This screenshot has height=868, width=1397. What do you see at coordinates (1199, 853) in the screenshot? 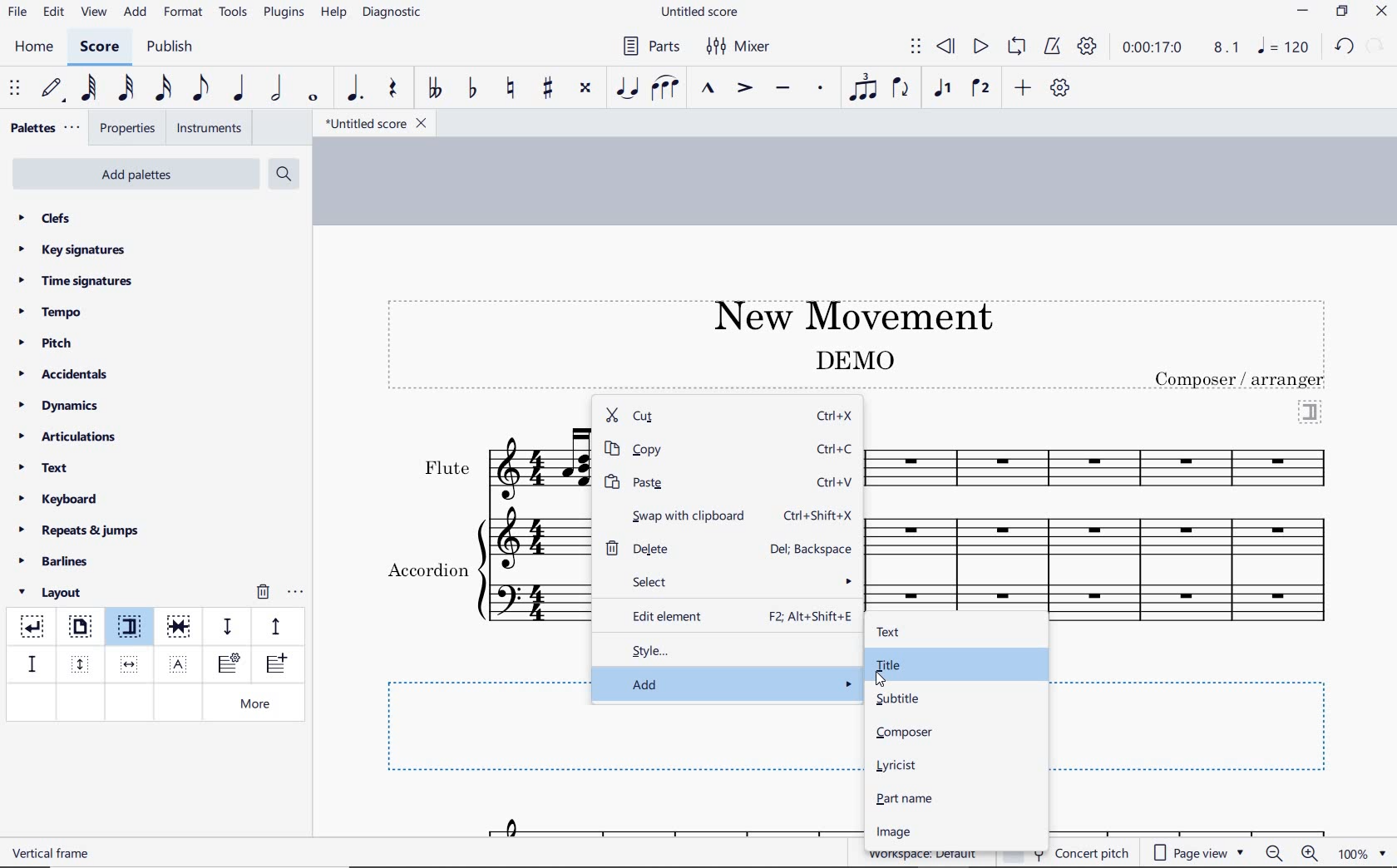
I see `page view` at bounding box center [1199, 853].